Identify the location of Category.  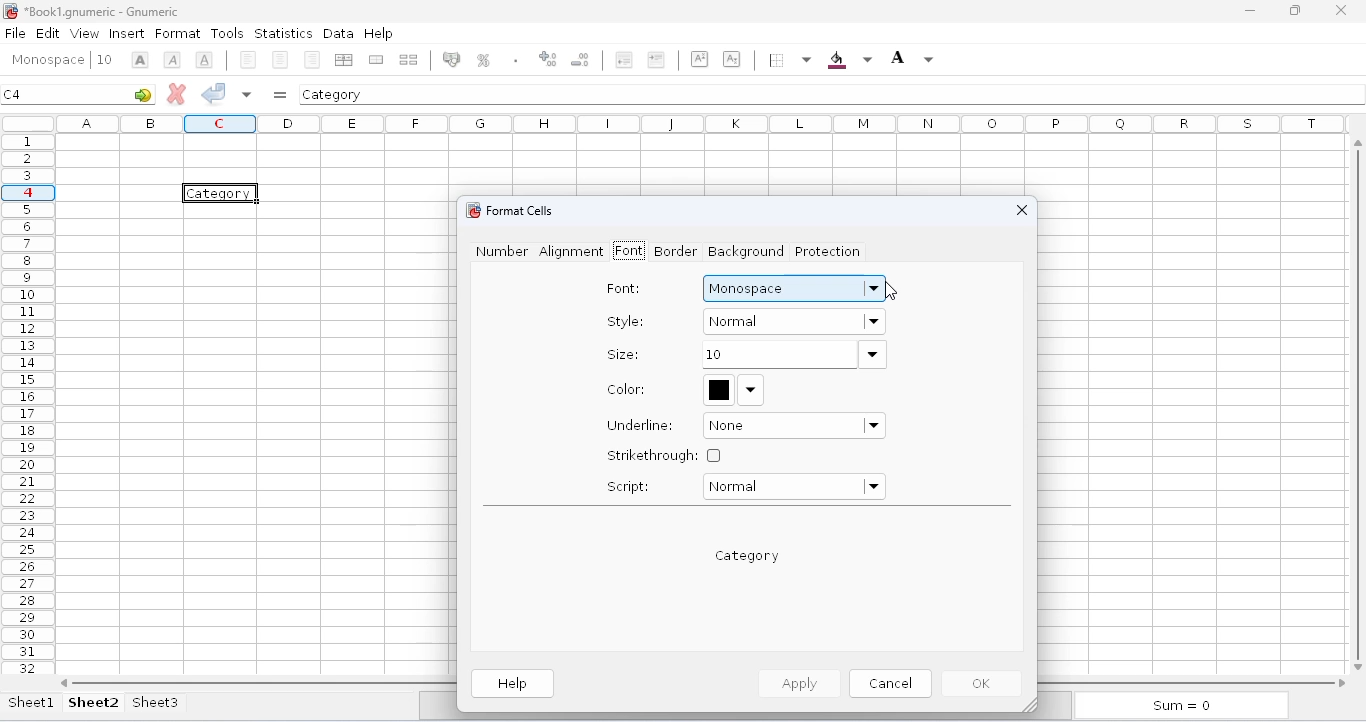
(222, 193).